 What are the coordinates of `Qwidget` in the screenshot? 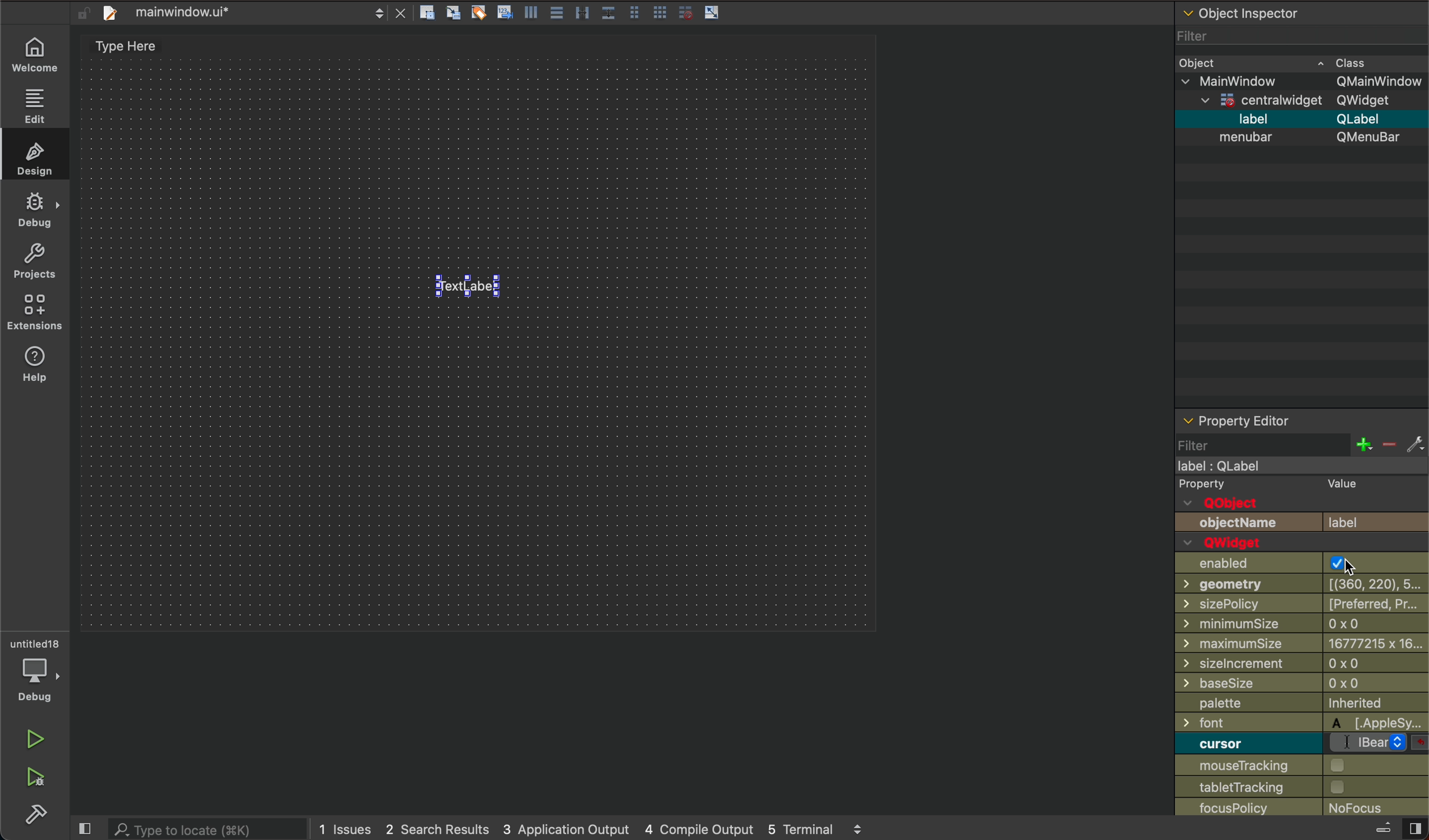 It's located at (1369, 100).